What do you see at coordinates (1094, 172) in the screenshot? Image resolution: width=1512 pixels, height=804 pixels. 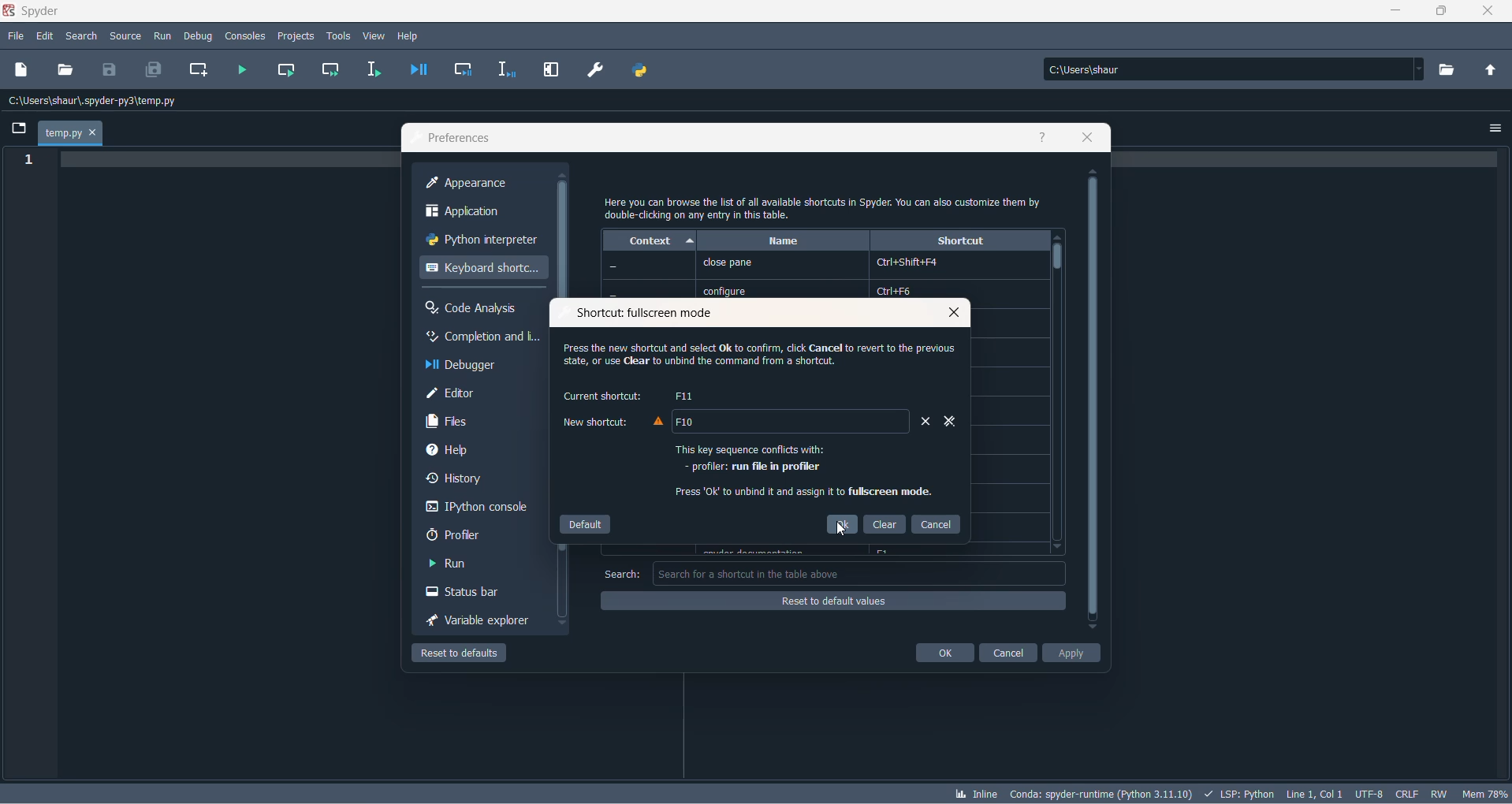 I see `move up` at bounding box center [1094, 172].